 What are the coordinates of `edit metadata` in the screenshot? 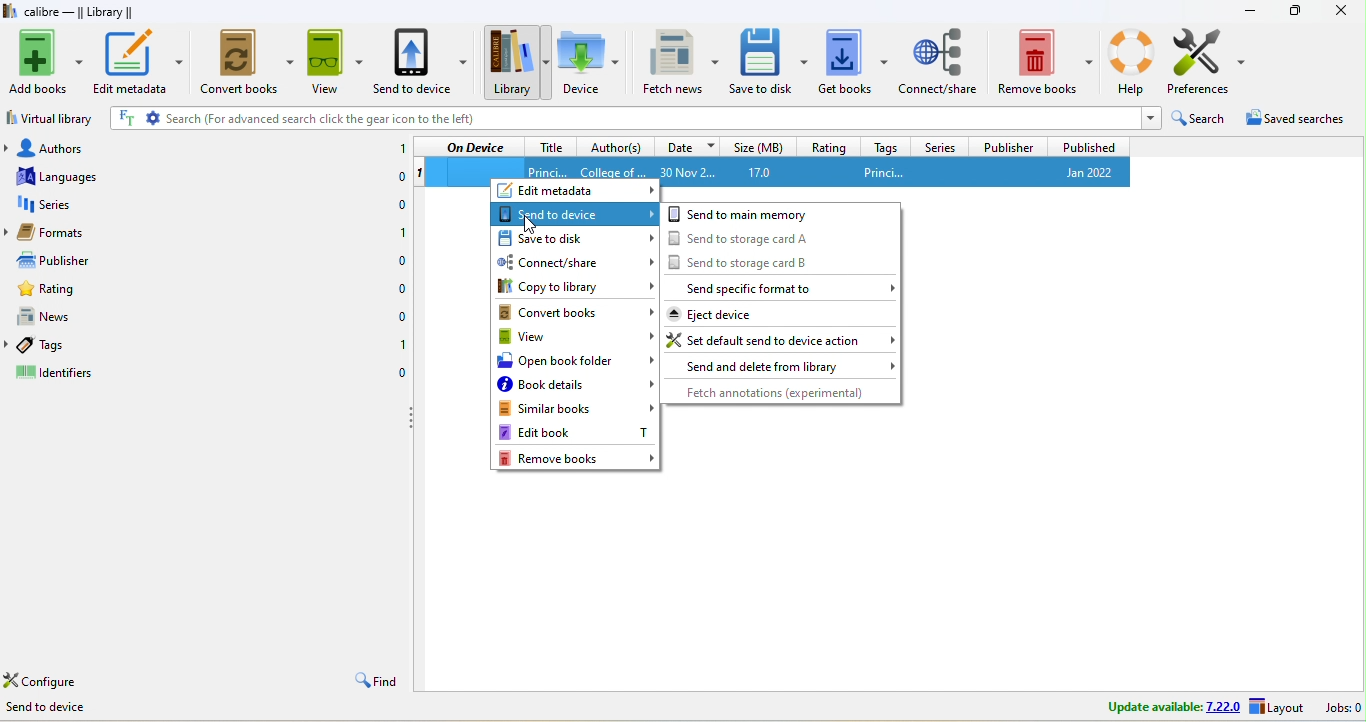 It's located at (576, 190).